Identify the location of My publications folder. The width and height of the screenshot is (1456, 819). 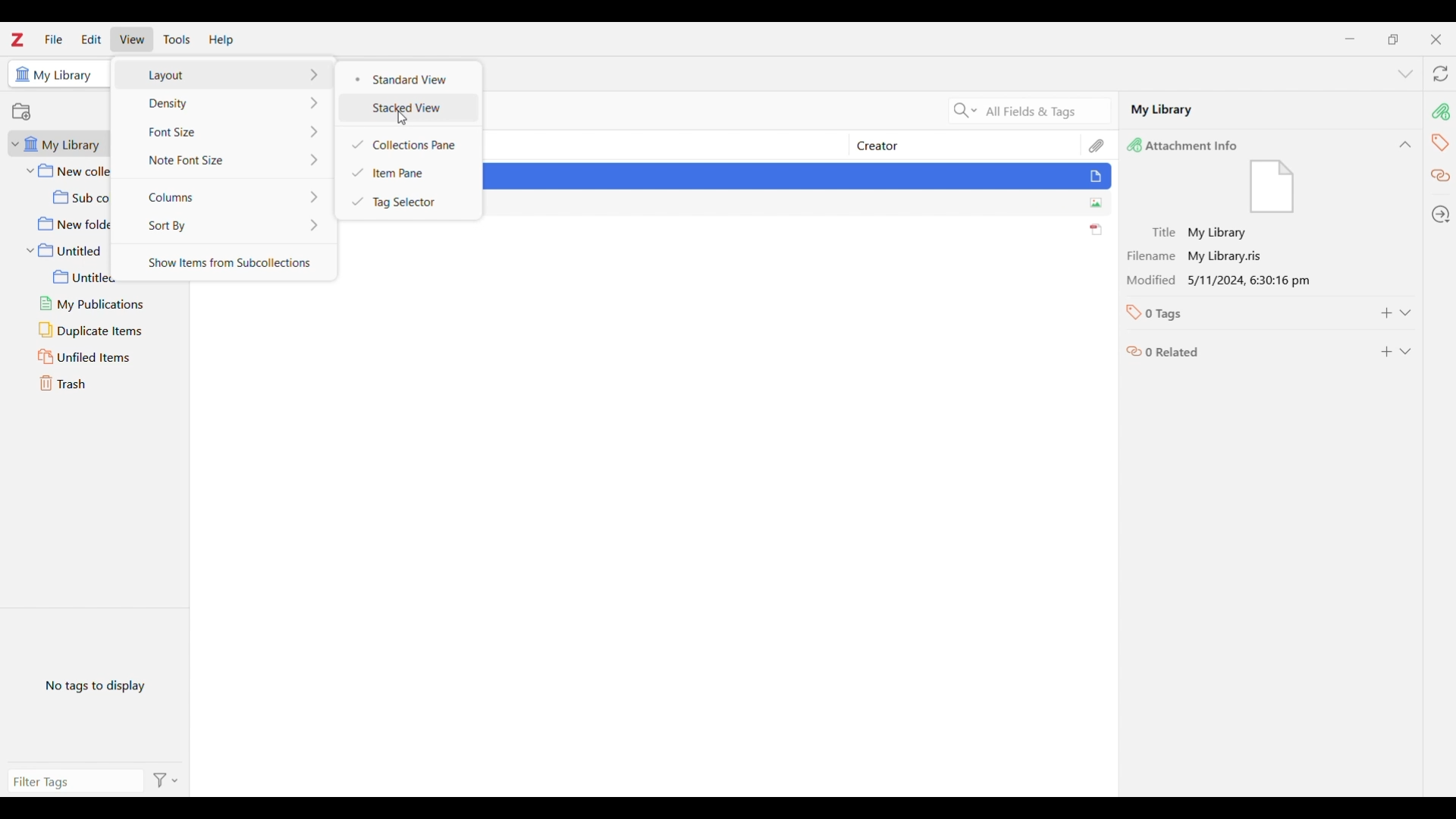
(102, 304).